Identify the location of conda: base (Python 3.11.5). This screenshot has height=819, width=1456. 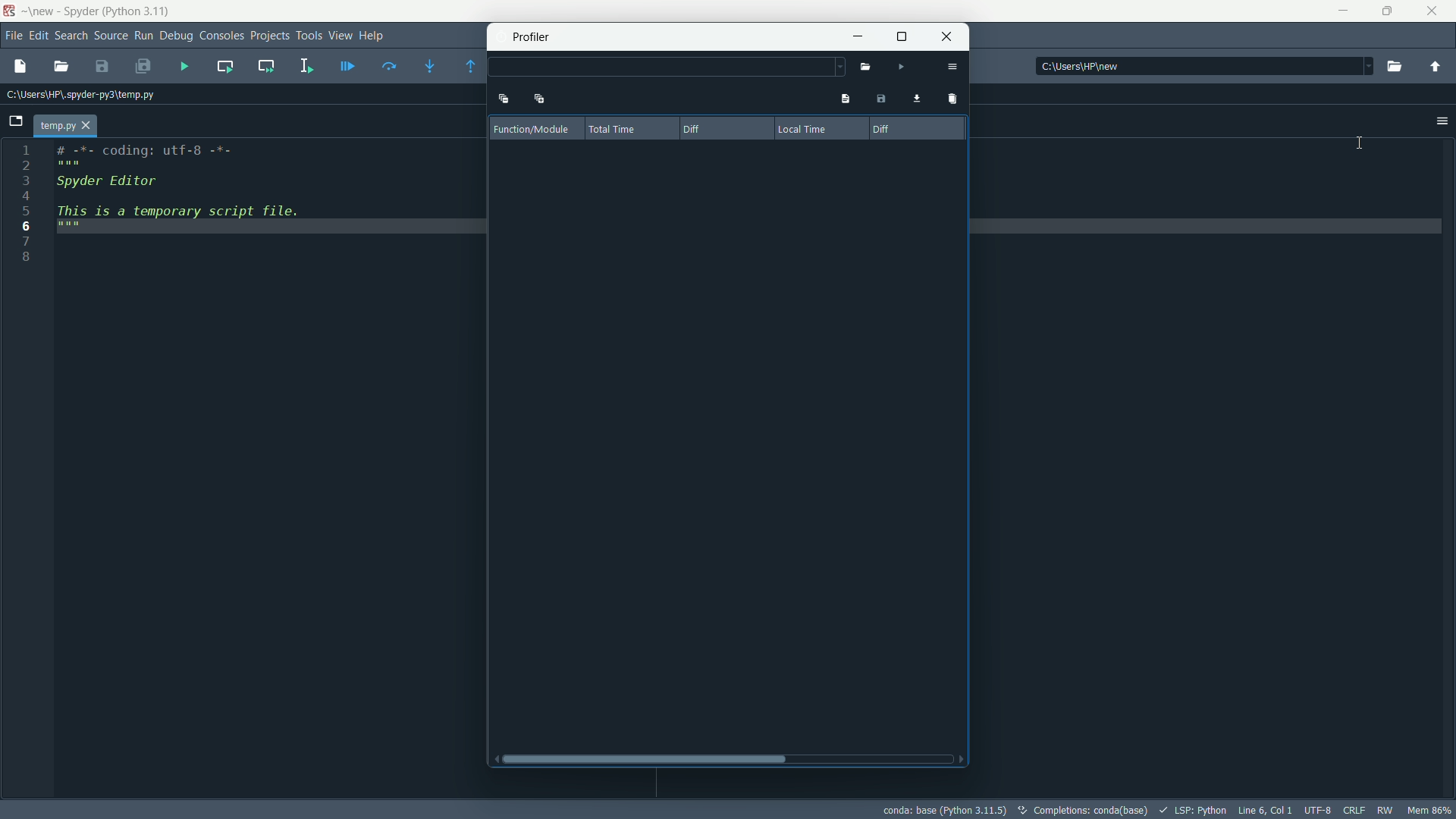
(946, 810).